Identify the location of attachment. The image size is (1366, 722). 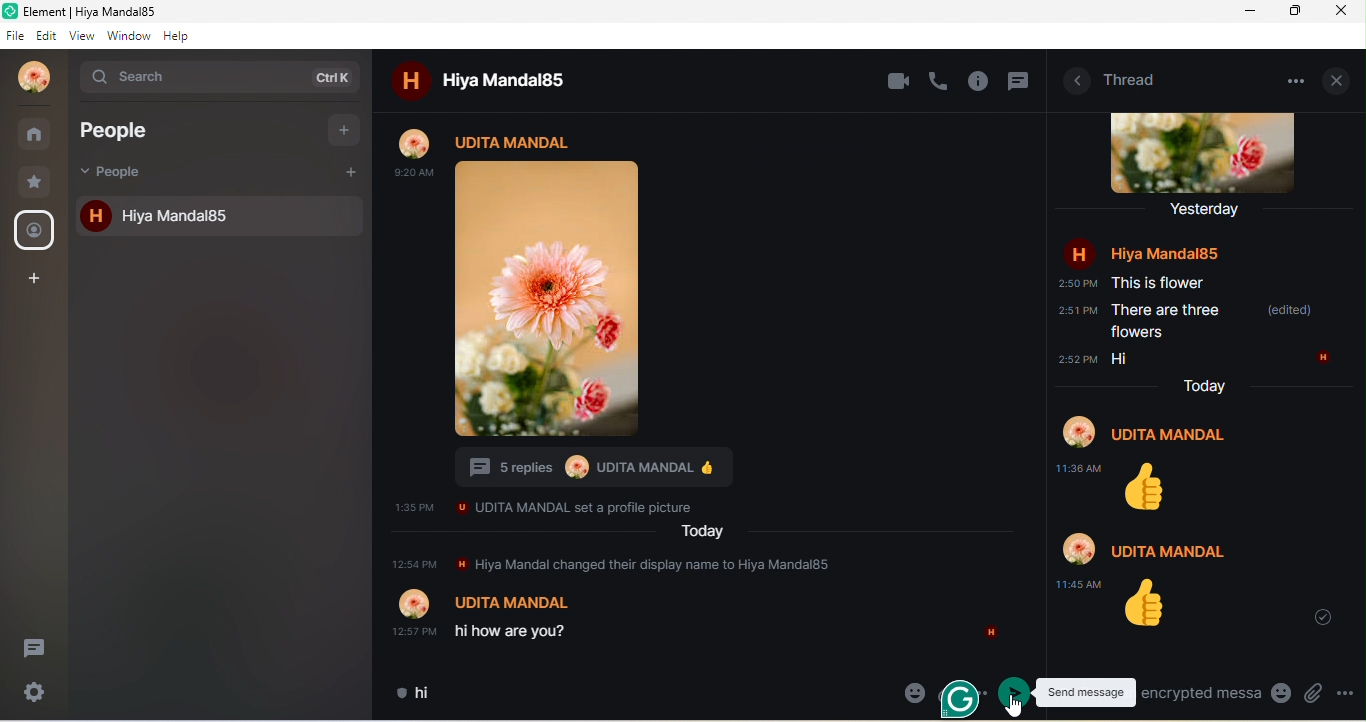
(1313, 693).